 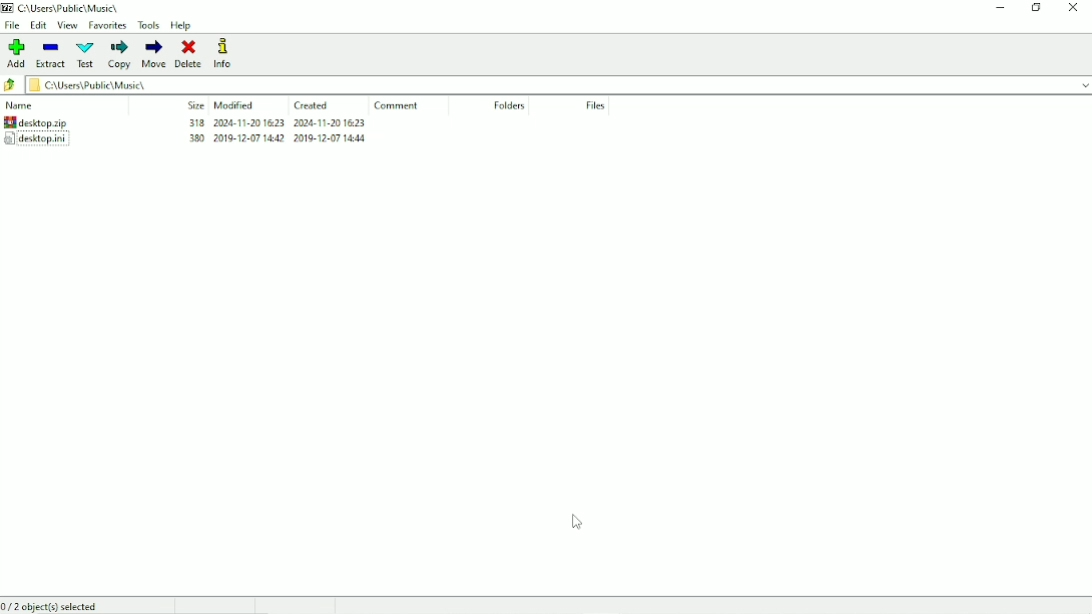 What do you see at coordinates (10, 86) in the screenshot?
I see `Back` at bounding box center [10, 86].